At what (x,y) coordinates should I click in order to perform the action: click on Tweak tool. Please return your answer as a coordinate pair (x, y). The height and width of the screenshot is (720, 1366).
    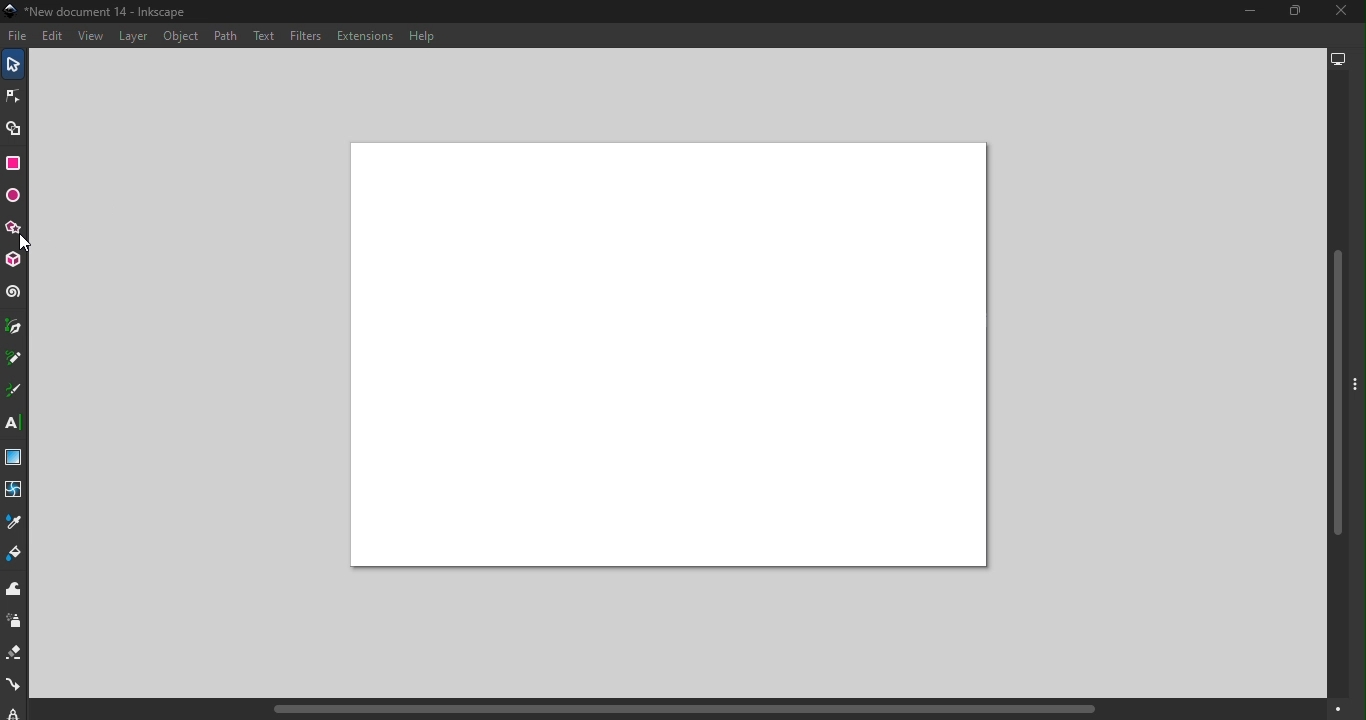
    Looking at the image, I should click on (17, 590).